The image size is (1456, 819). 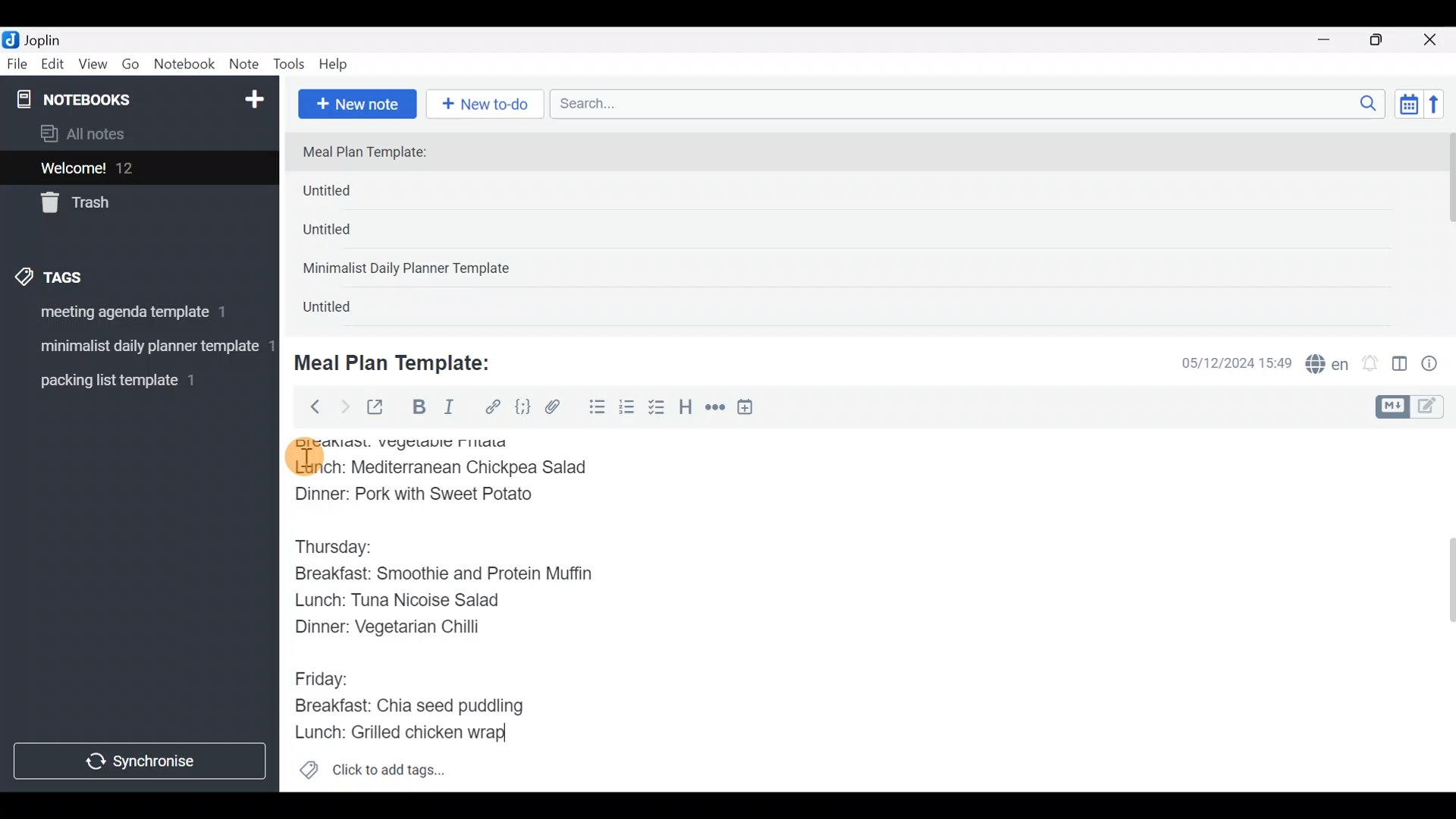 What do you see at coordinates (1414, 405) in the screenshot?
I see `Toggle editors` at bounding box center [1414, 405].